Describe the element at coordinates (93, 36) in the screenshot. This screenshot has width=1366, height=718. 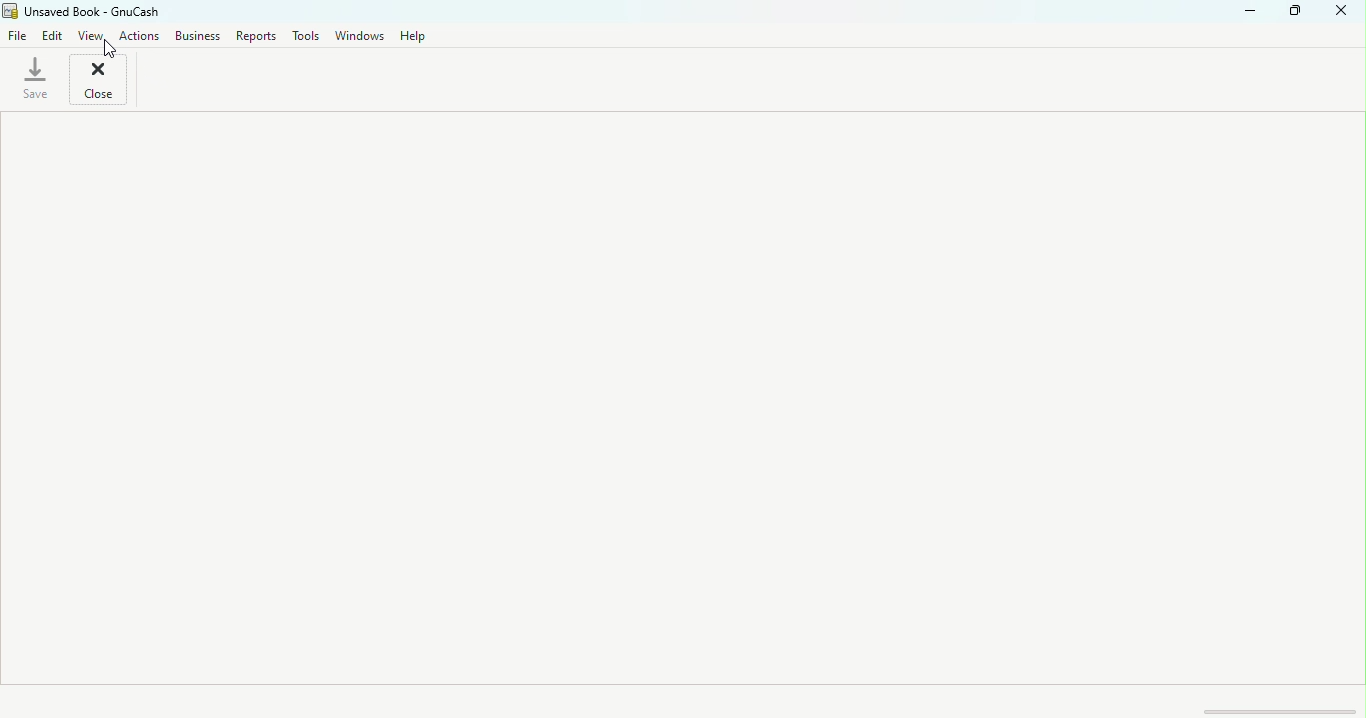
I see `view` at that location.